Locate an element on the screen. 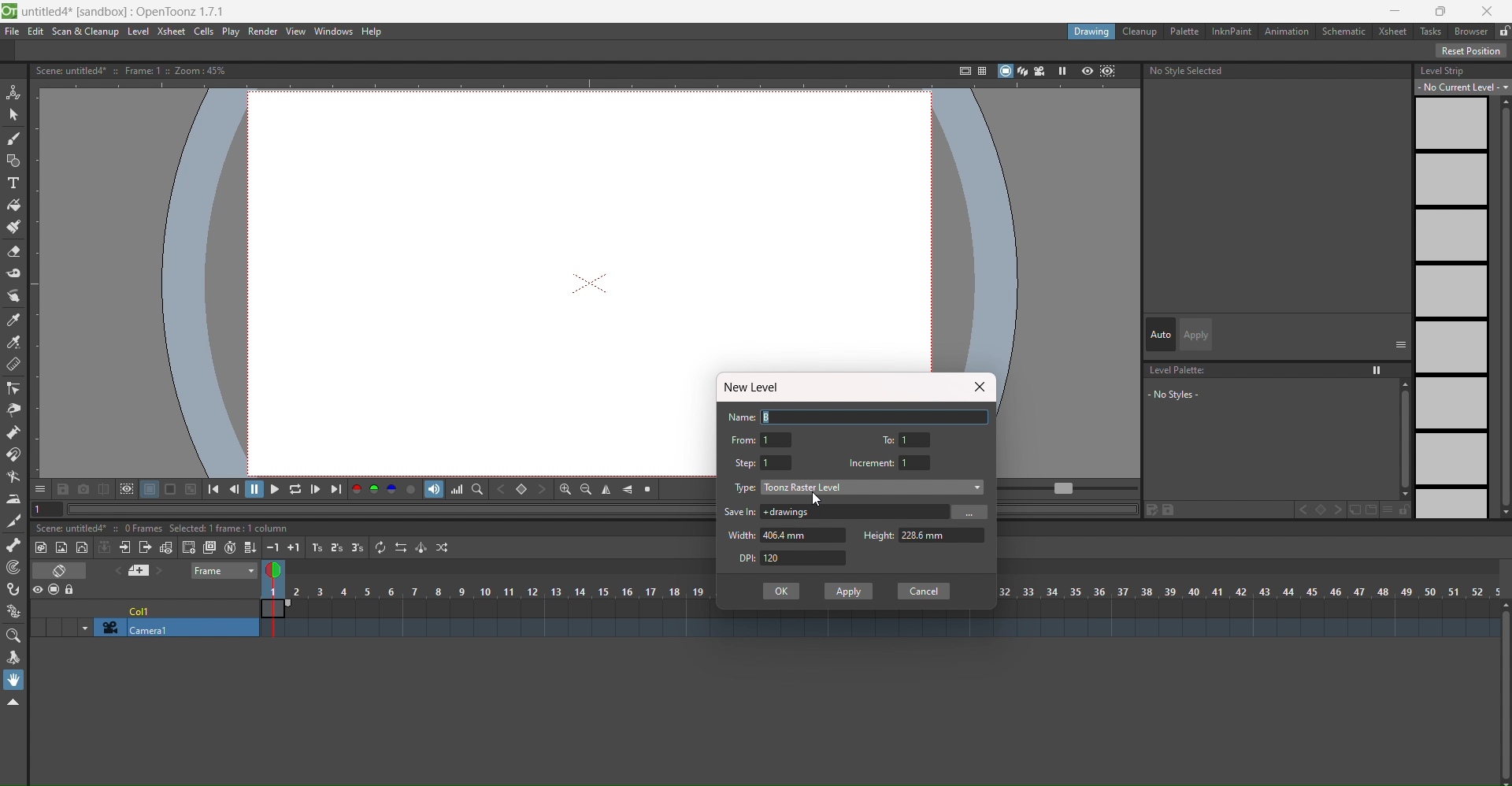 This screenshot has height=786, width=1512. set key is located at coordinates (521, 489).